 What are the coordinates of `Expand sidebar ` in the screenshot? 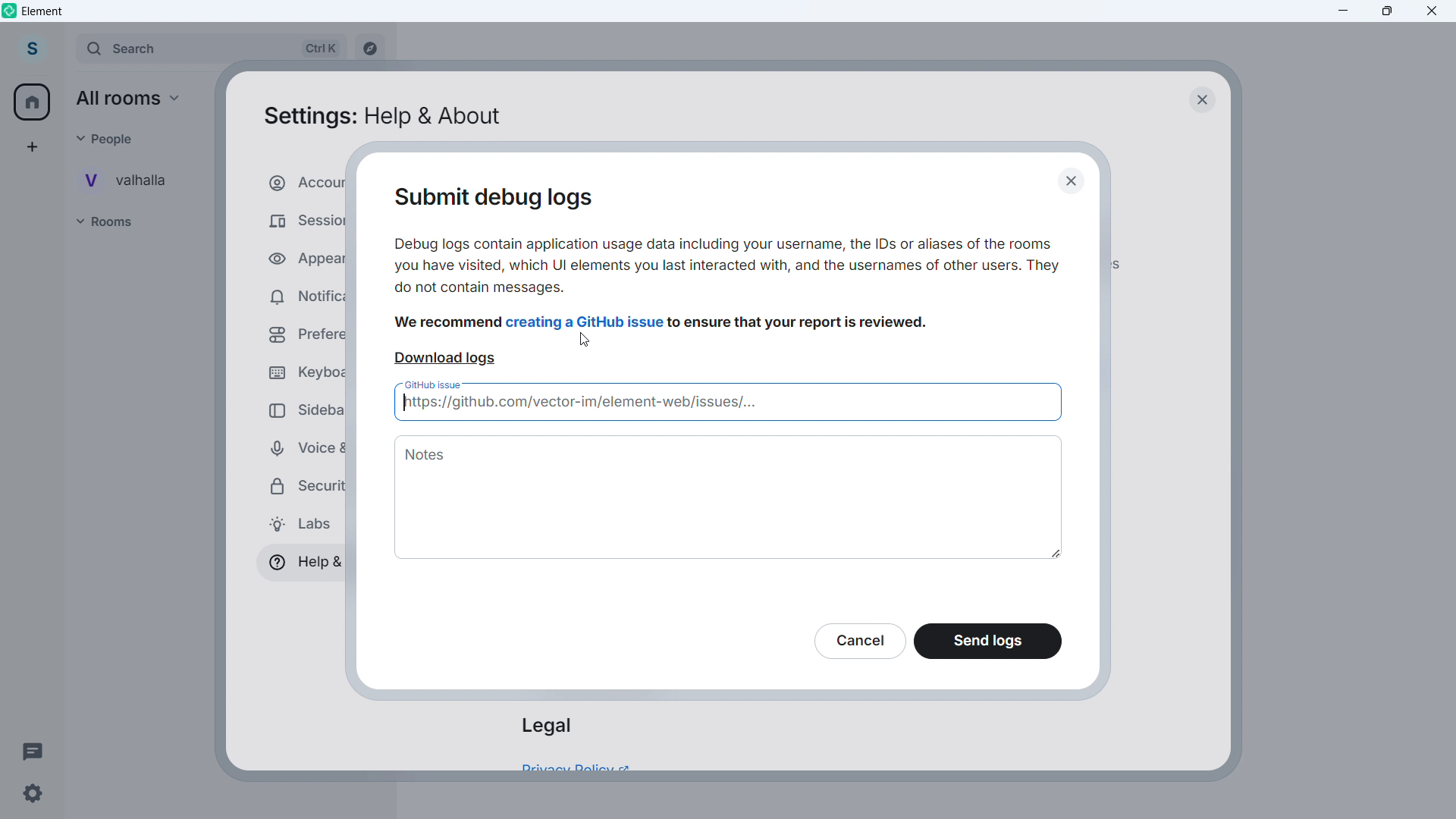 It's located at (64, 50).